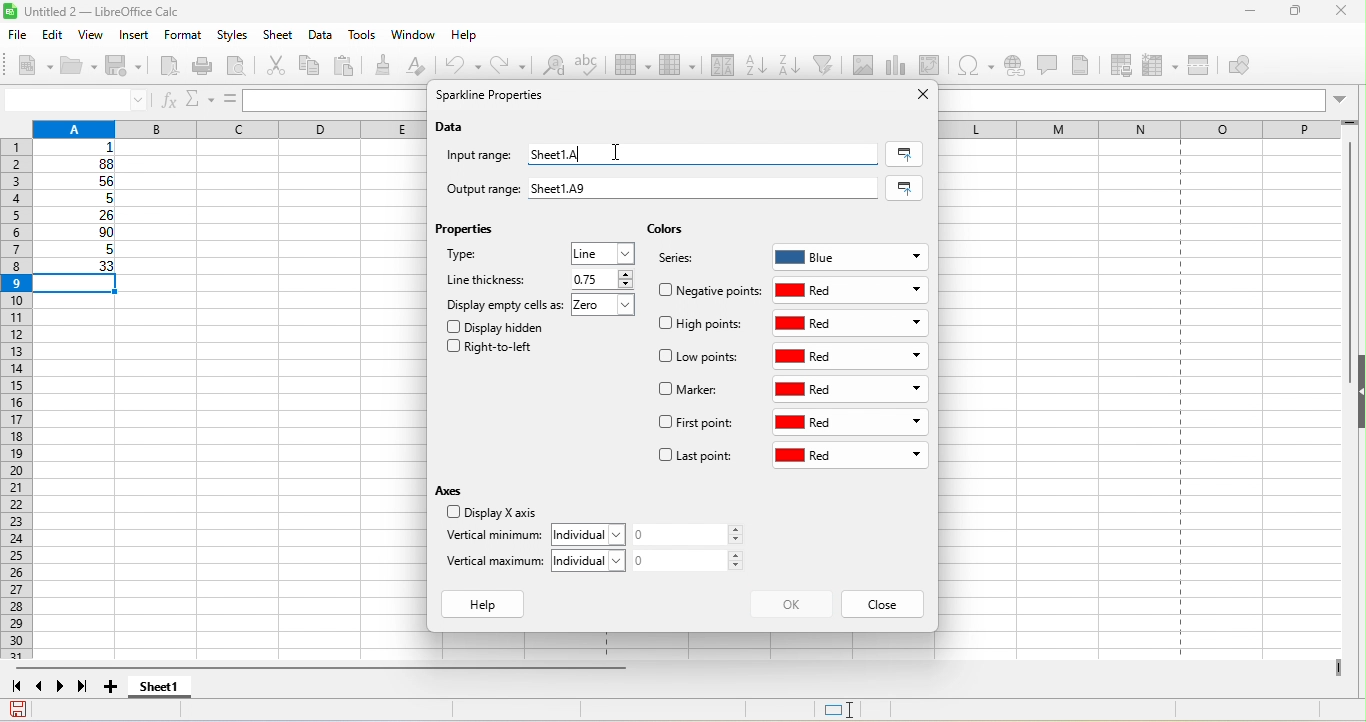 The height and width of the screenshot is (722, 1366). I want to click on clear direct formatting, so click(424, 68).